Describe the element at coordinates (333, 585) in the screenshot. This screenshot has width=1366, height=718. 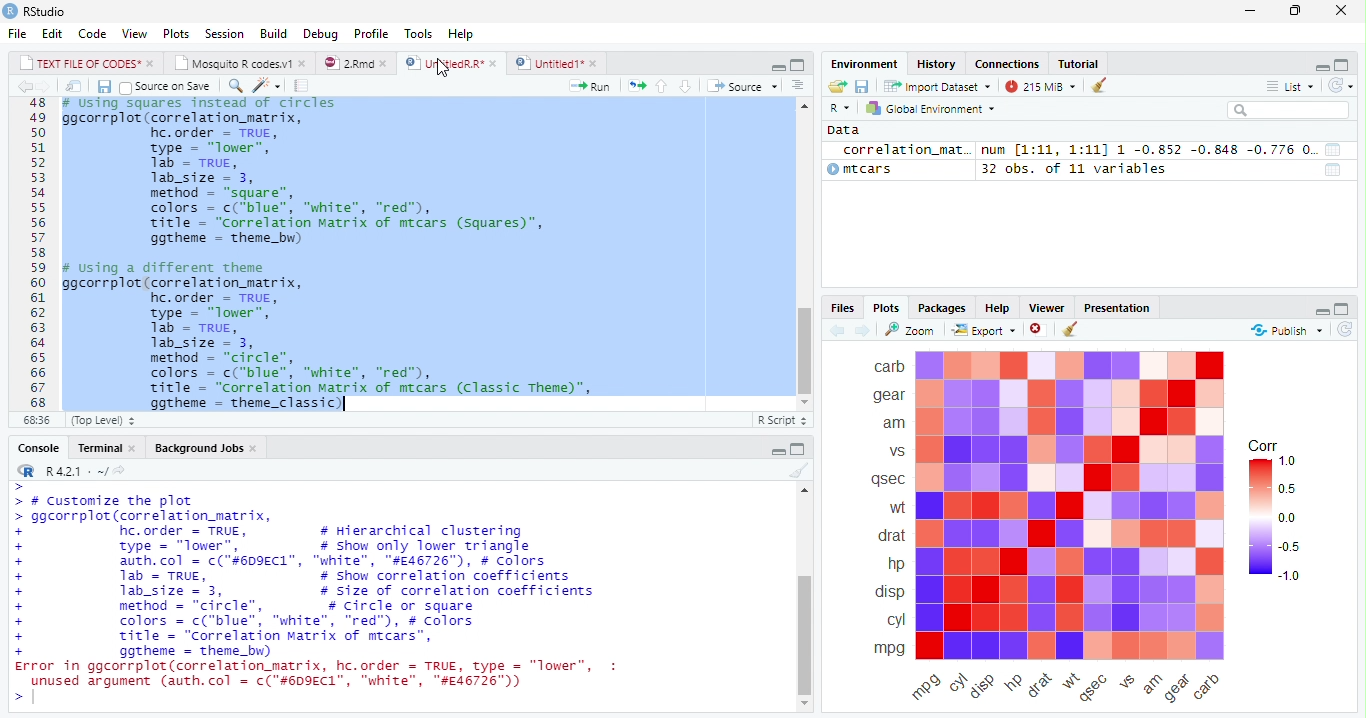
I see `> # Customize the plot

> ggcorrplot (correlation matrix,

+ hc. order = TRUE, # nierarchical clustering

+ Type = “lower”, # Show only lower triangle

+ auth. col = C("#6D9EC1”, “white”, "#£46726"), # Colors

+ lab = TRUE, # show correlation coefficients

+ Tab_size = 3, # size of correlation coefficients

+ method = “circle”, # circle or square

+ colors = c("blue”, "white", "red”), # Colors

+ title = "Correlation matrix of mtcars”,

+ ggtheme = theme_bw)

Error in ggcorrplot(correlation matrix, hc.order = TRUE, type = “lower”, :
unused argument (auth.col = C("#6D9EC1”, "white", "#£46726"))` at that location.